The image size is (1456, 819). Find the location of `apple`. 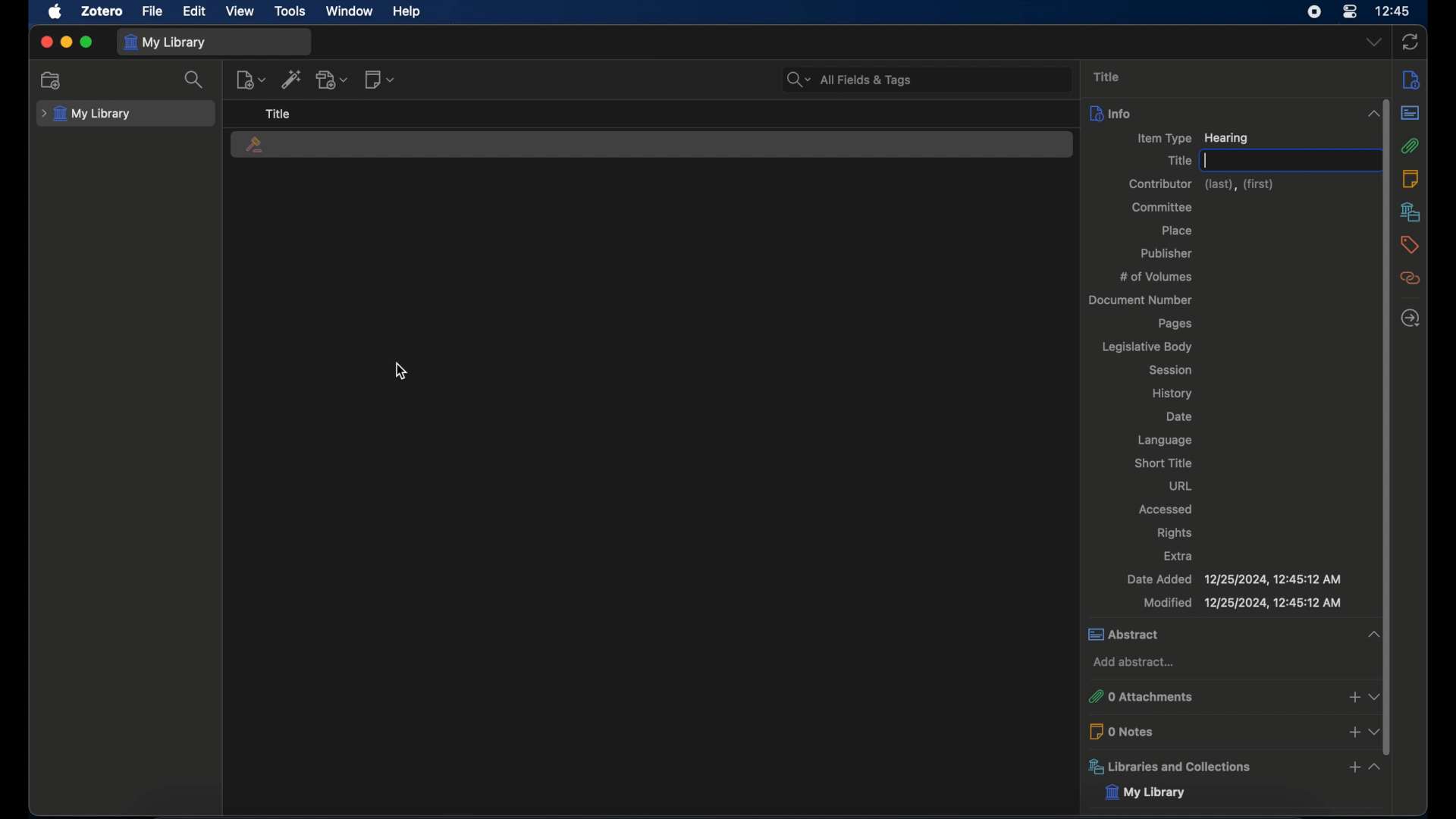

apple is located at coordinates (56, 11).